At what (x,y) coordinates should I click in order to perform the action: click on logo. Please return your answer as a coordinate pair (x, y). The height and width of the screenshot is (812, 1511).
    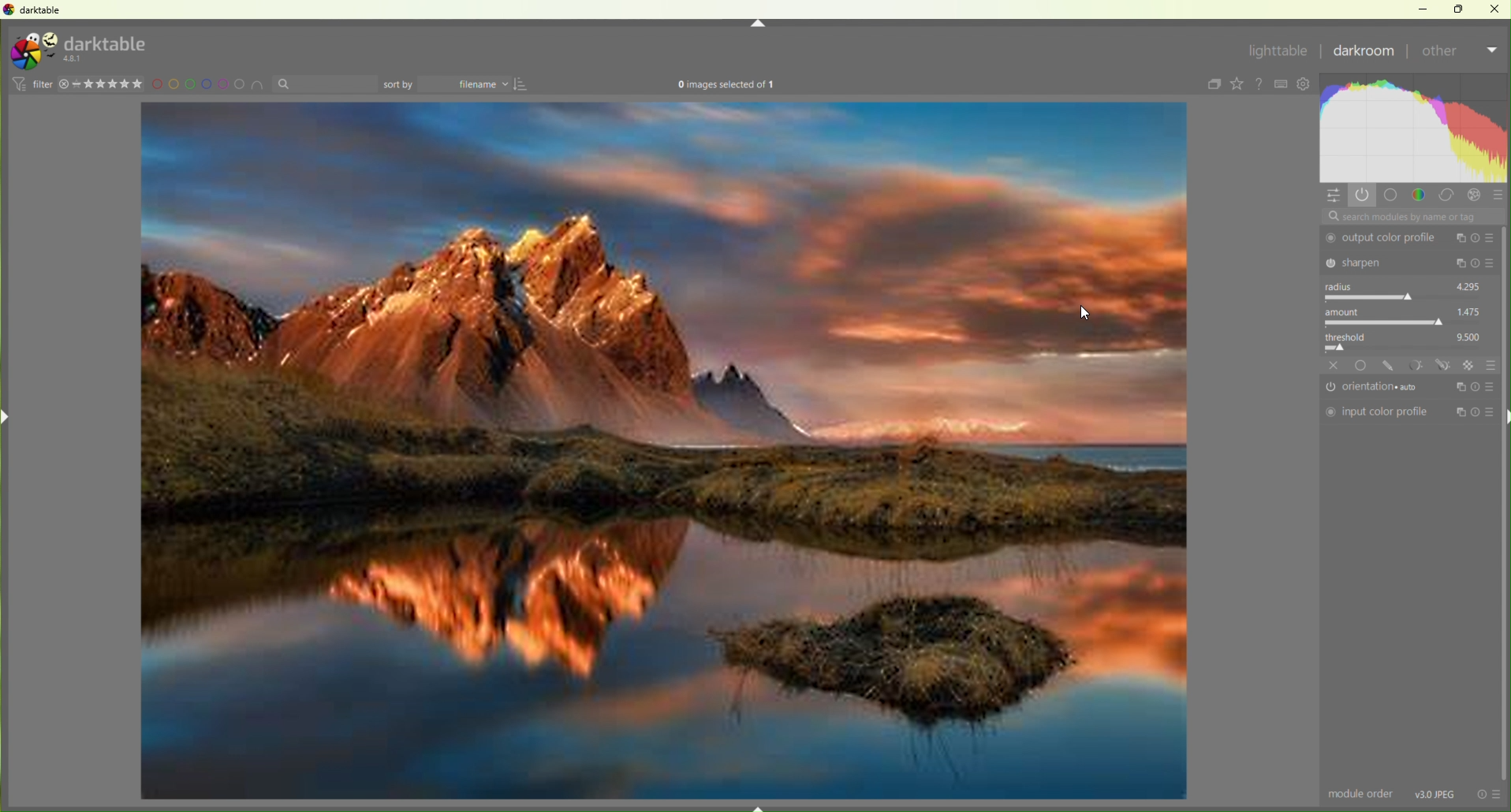
    Looking at the image, I should click on (32, 51).